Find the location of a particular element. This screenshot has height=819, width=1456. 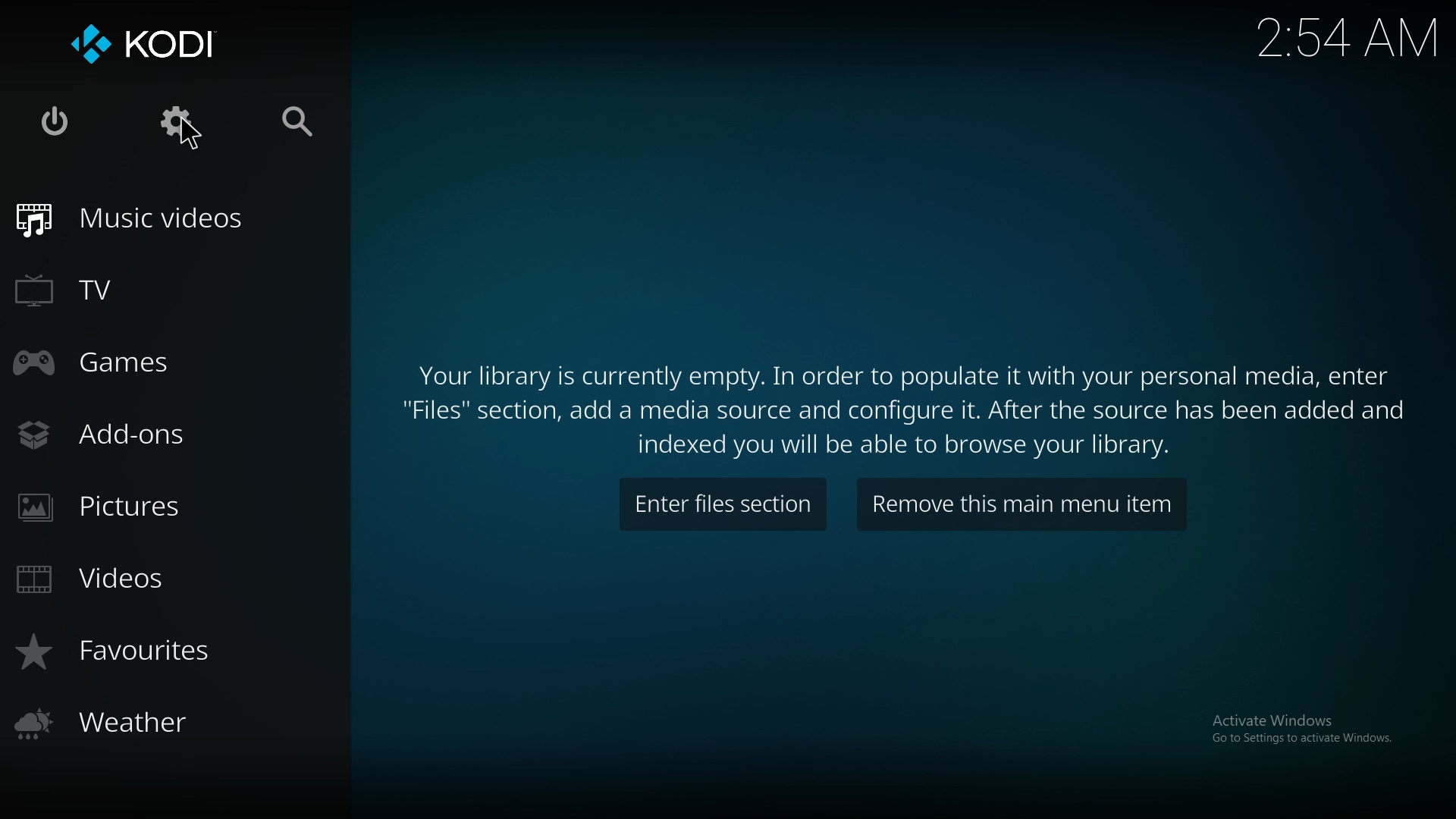

music videos is located at coordinates (136, 221).